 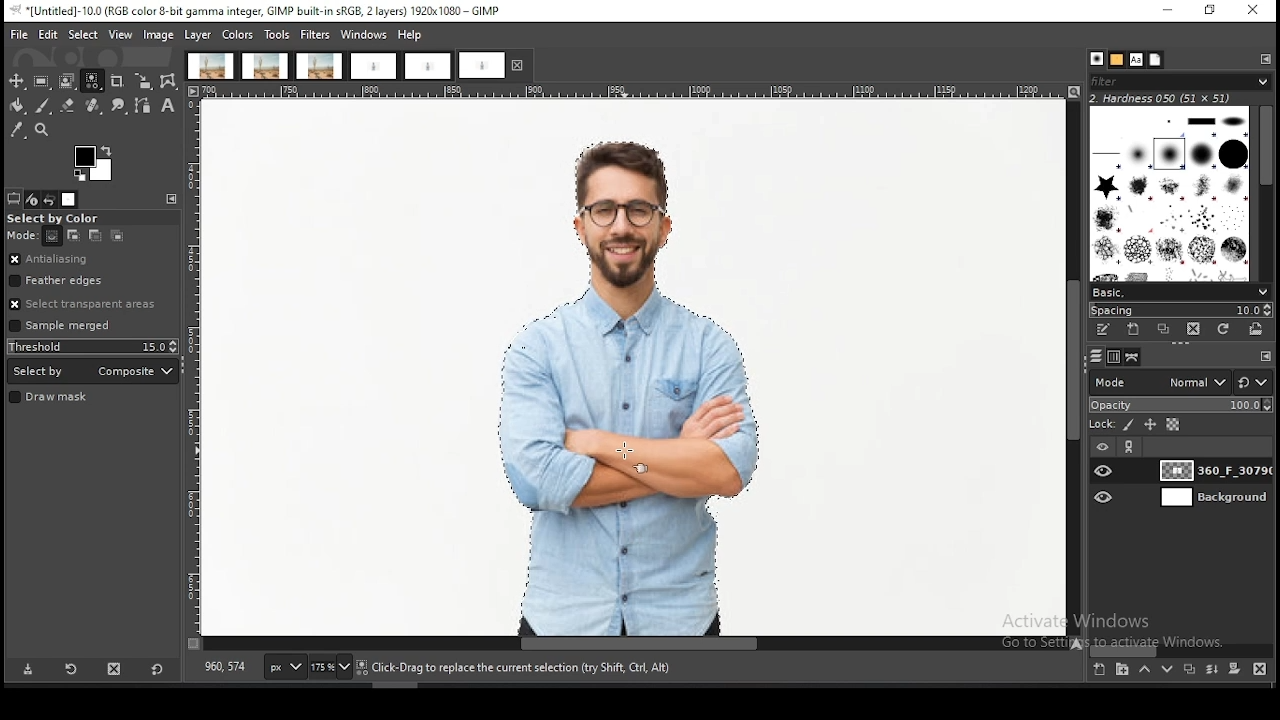 What do you see at coordinates (1096, 357) in the screenshot?
I see `layers` at bounding box center [1096, 357].